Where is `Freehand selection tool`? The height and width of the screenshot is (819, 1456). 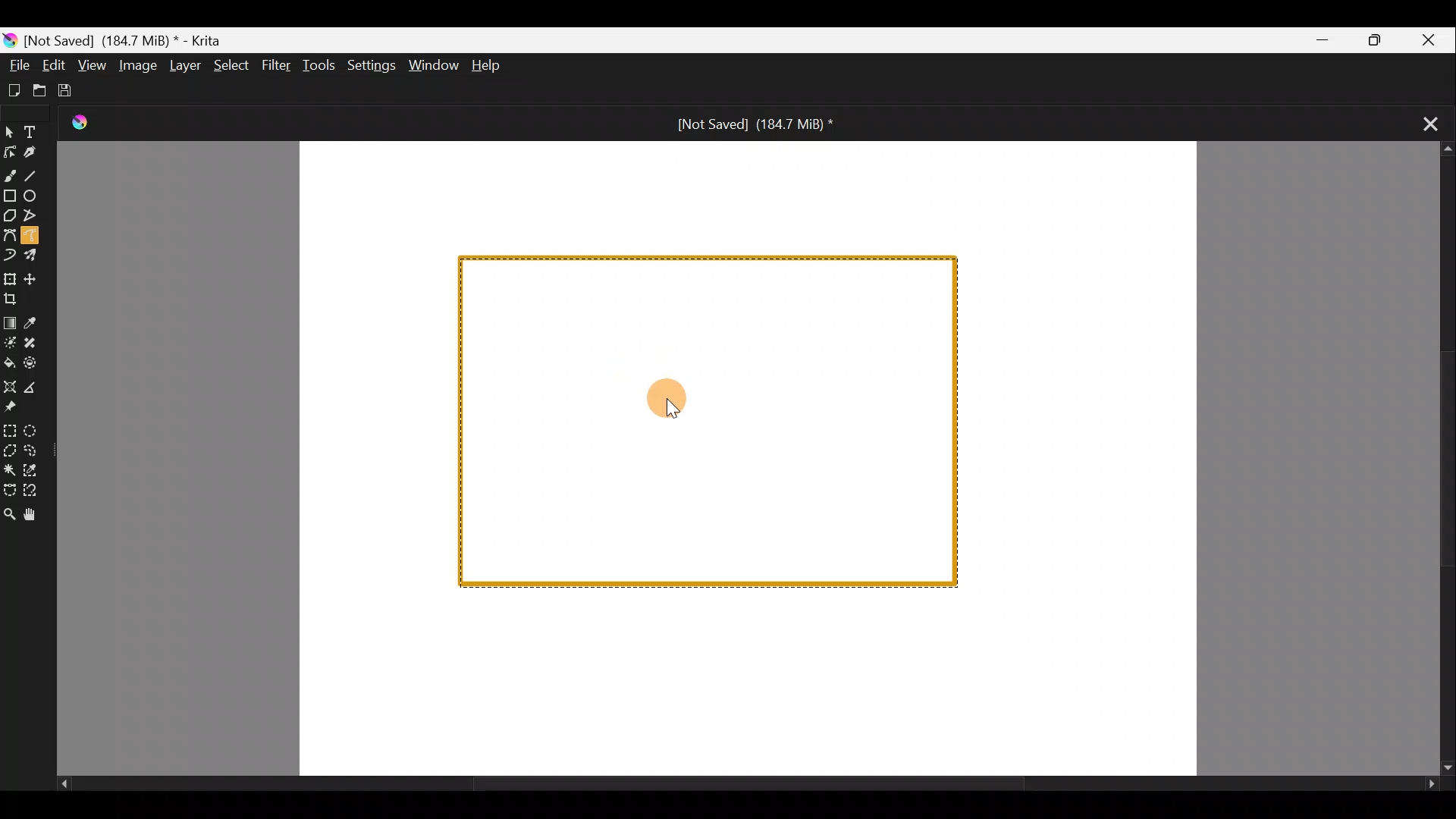
Freehand selection tool is located at coordinates (39, 453).